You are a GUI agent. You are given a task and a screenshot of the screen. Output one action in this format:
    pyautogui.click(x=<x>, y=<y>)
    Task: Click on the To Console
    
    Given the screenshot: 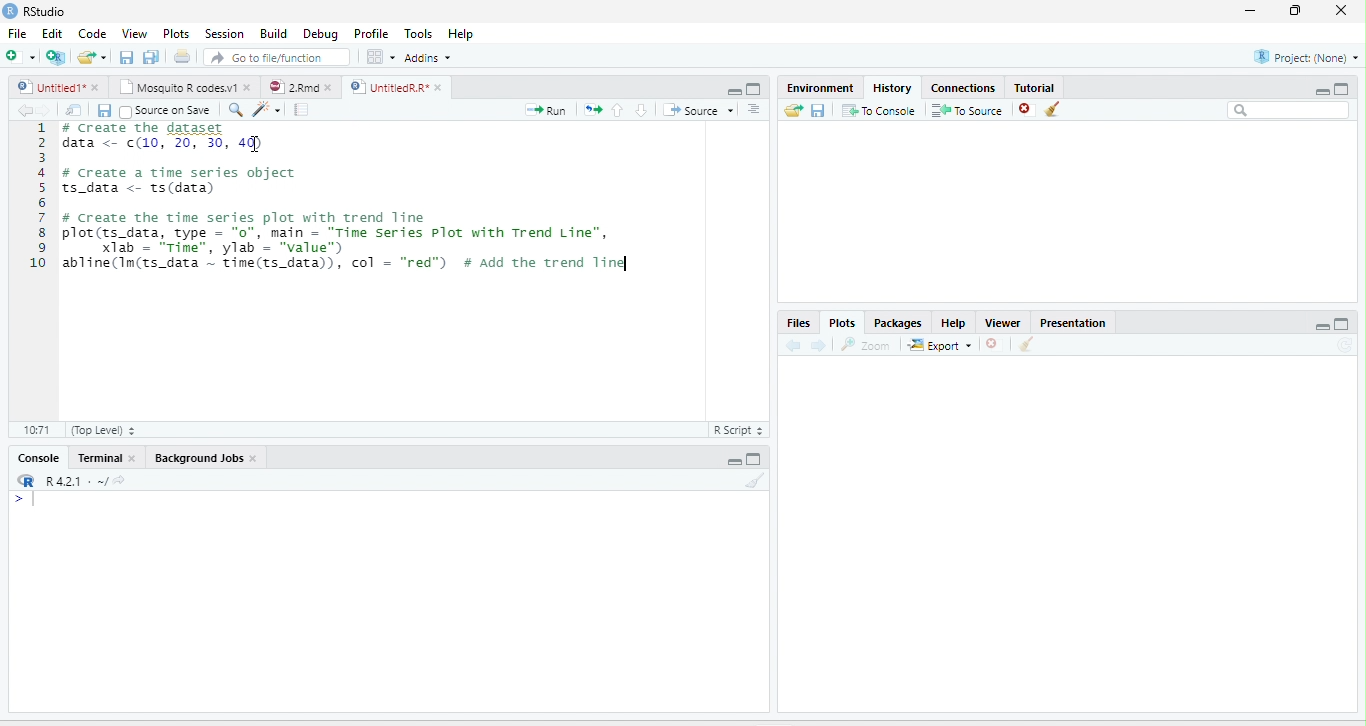 What is the action you would take?
    pyautogui.click(x=878, y=110)
    